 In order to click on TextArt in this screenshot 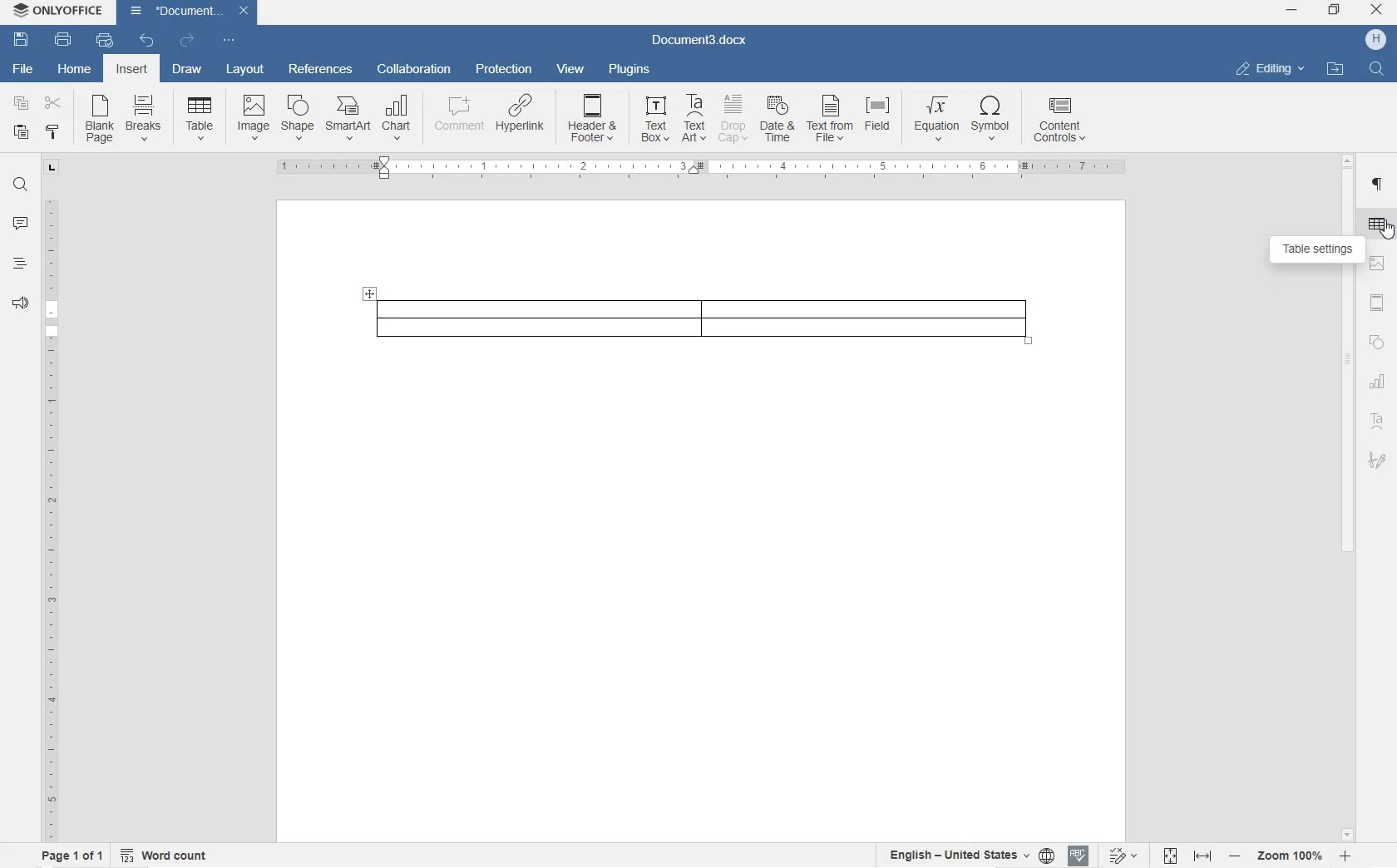, I will do `click(695, 118)`.